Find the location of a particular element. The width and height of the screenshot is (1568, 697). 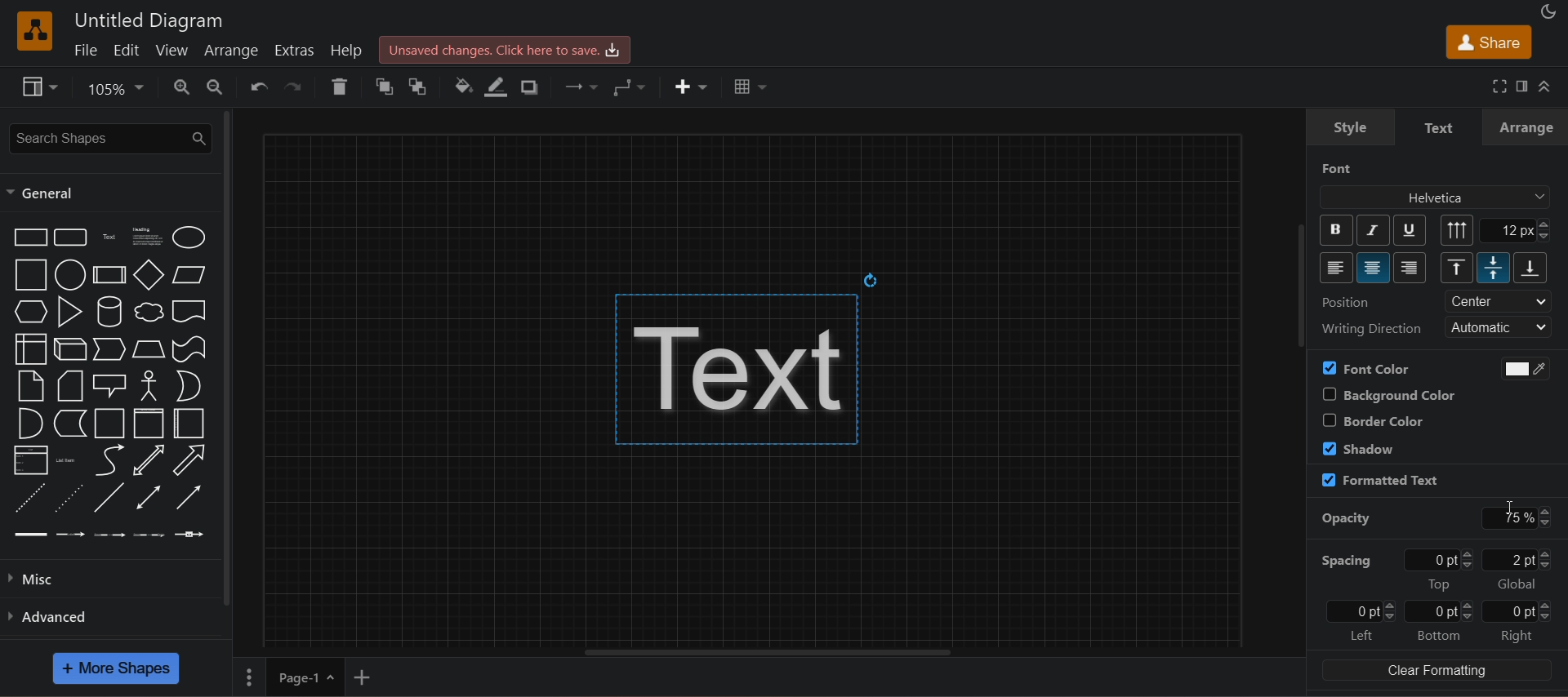

internal storage is located at coordinates (29, 348).